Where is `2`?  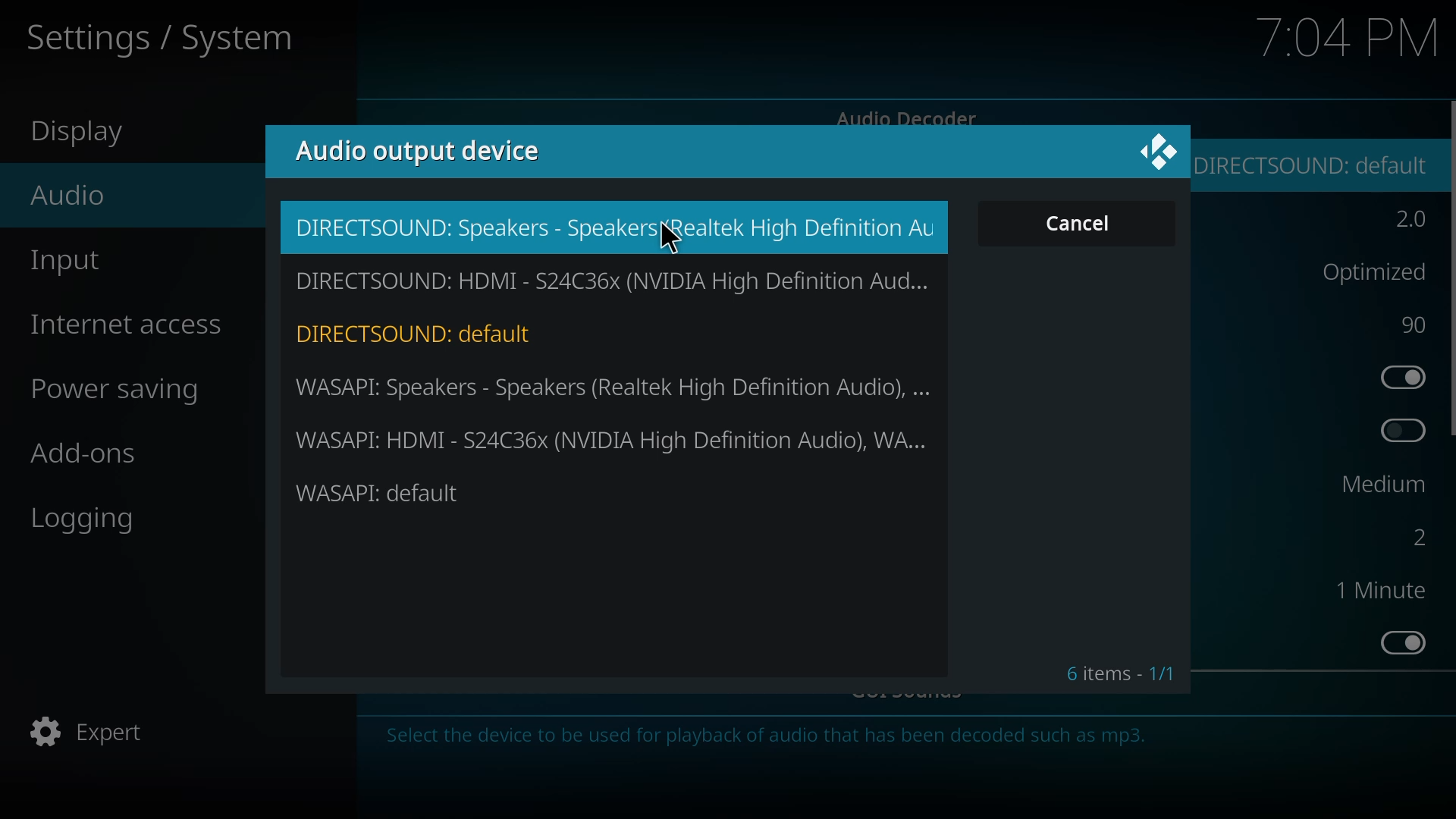
2 is located at coordinates (1409, 537).